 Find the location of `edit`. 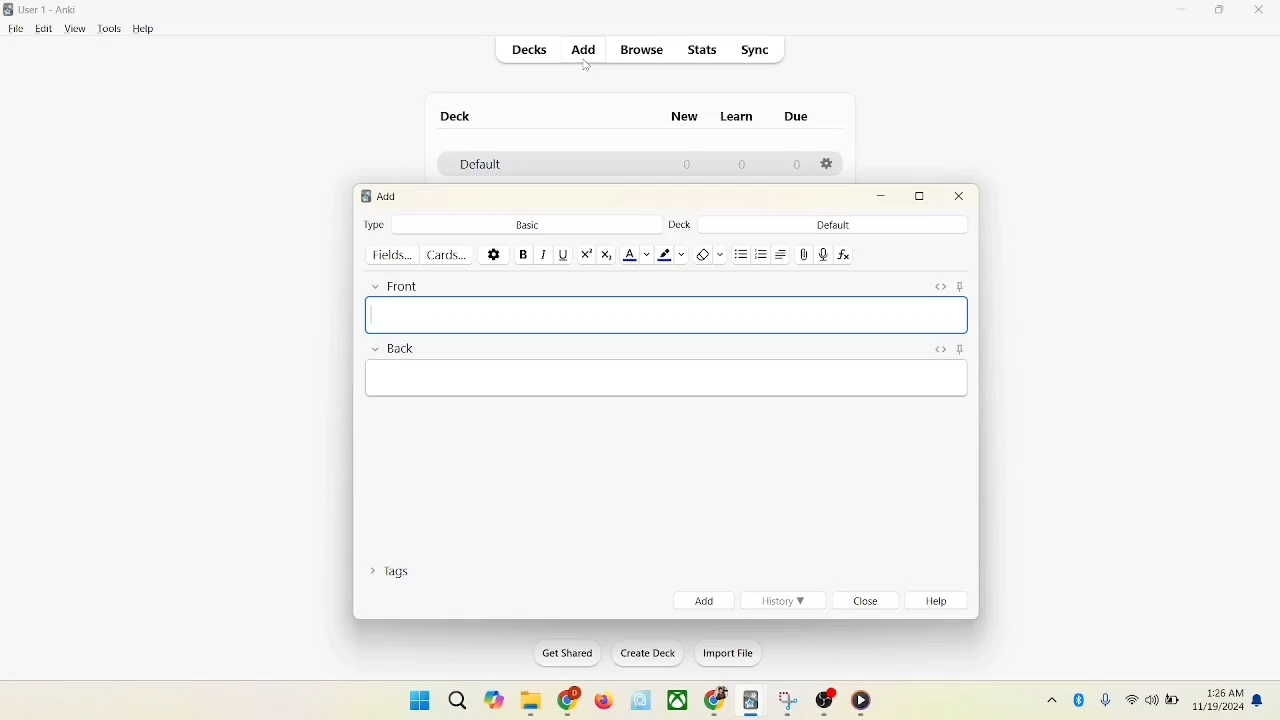

edit is located at coordinates (41, 28).